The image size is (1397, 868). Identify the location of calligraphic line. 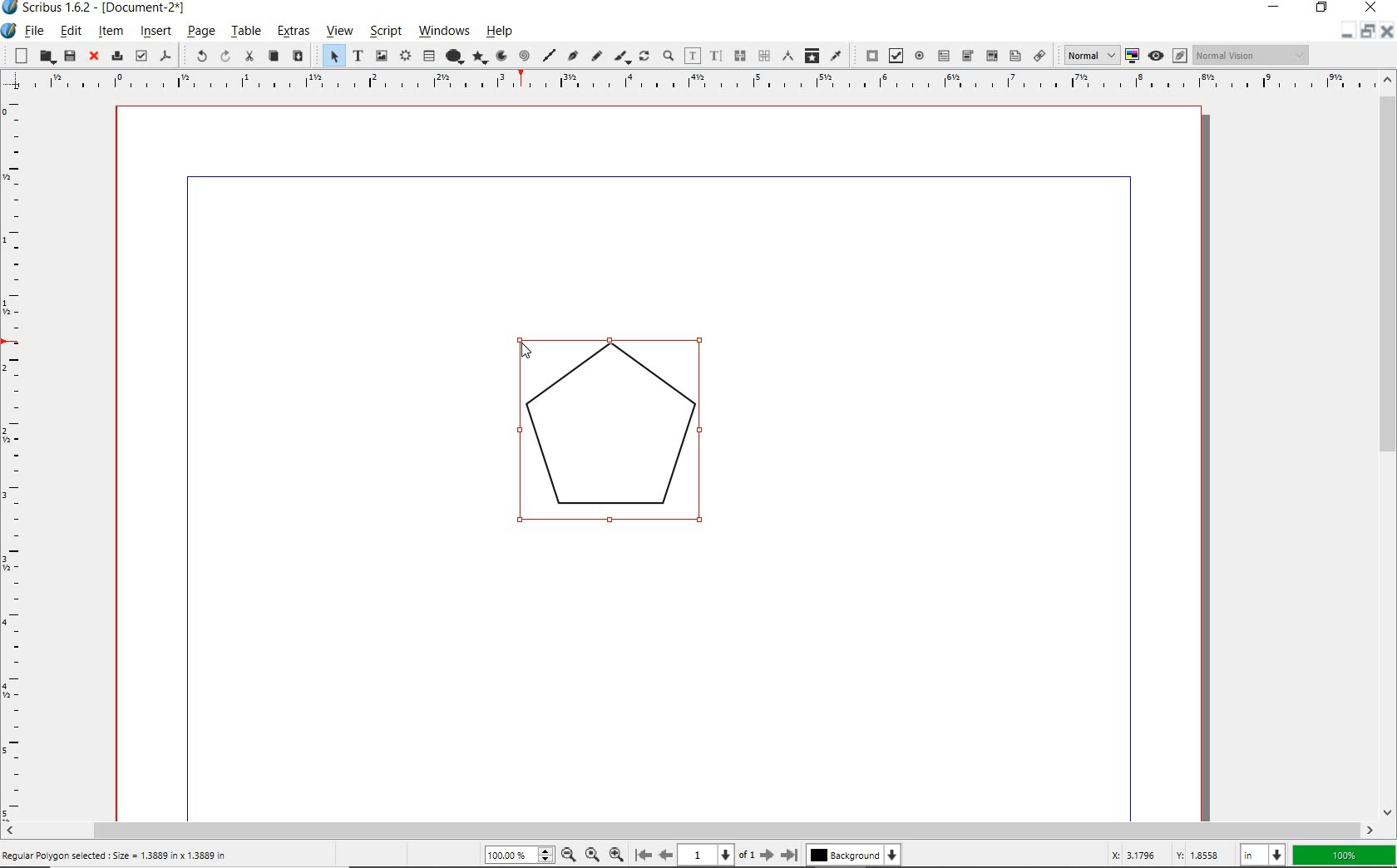
(622, 57).